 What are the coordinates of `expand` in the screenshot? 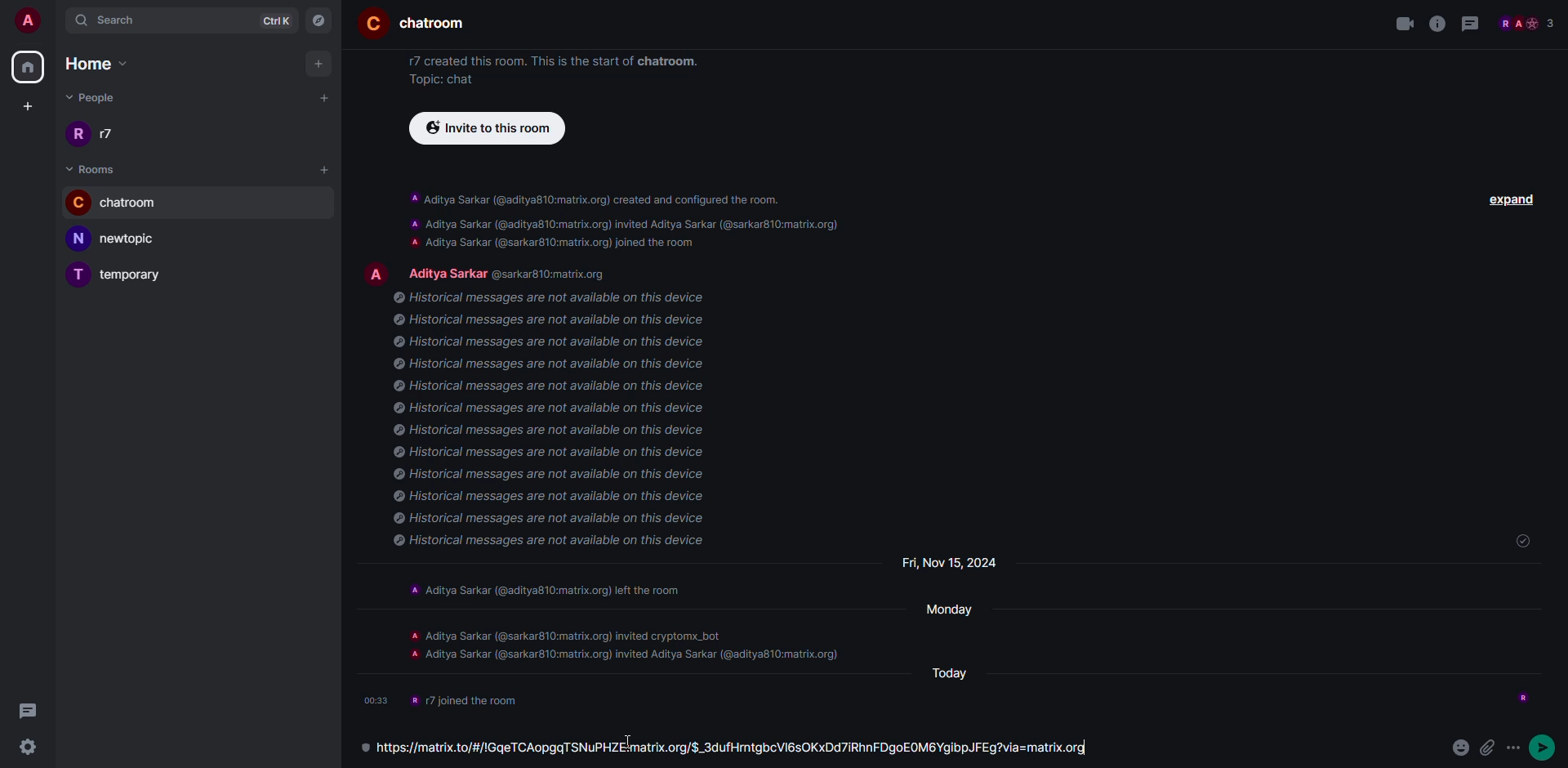 It's located at (1513, 199).